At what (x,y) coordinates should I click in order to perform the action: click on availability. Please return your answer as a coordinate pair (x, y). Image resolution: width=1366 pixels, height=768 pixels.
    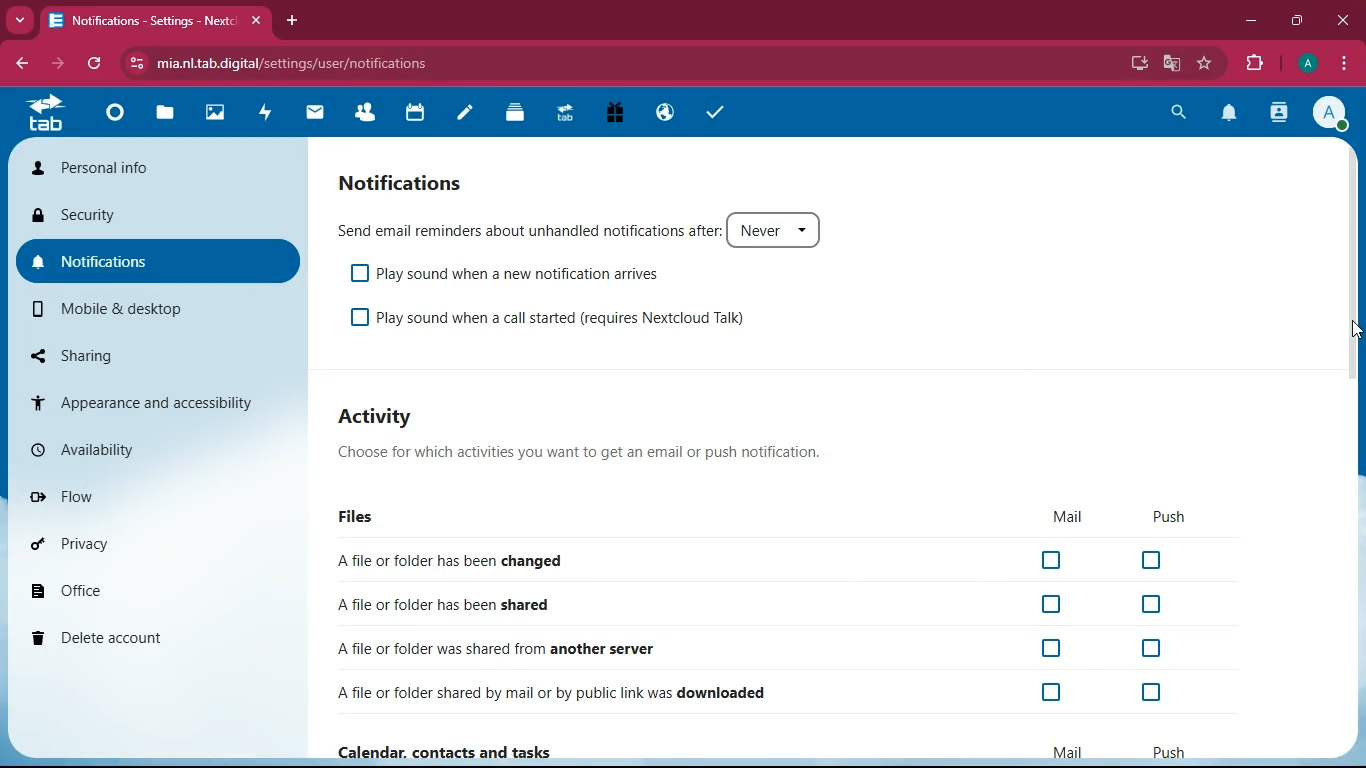
    Looking at the image, I should click on (155, 449).